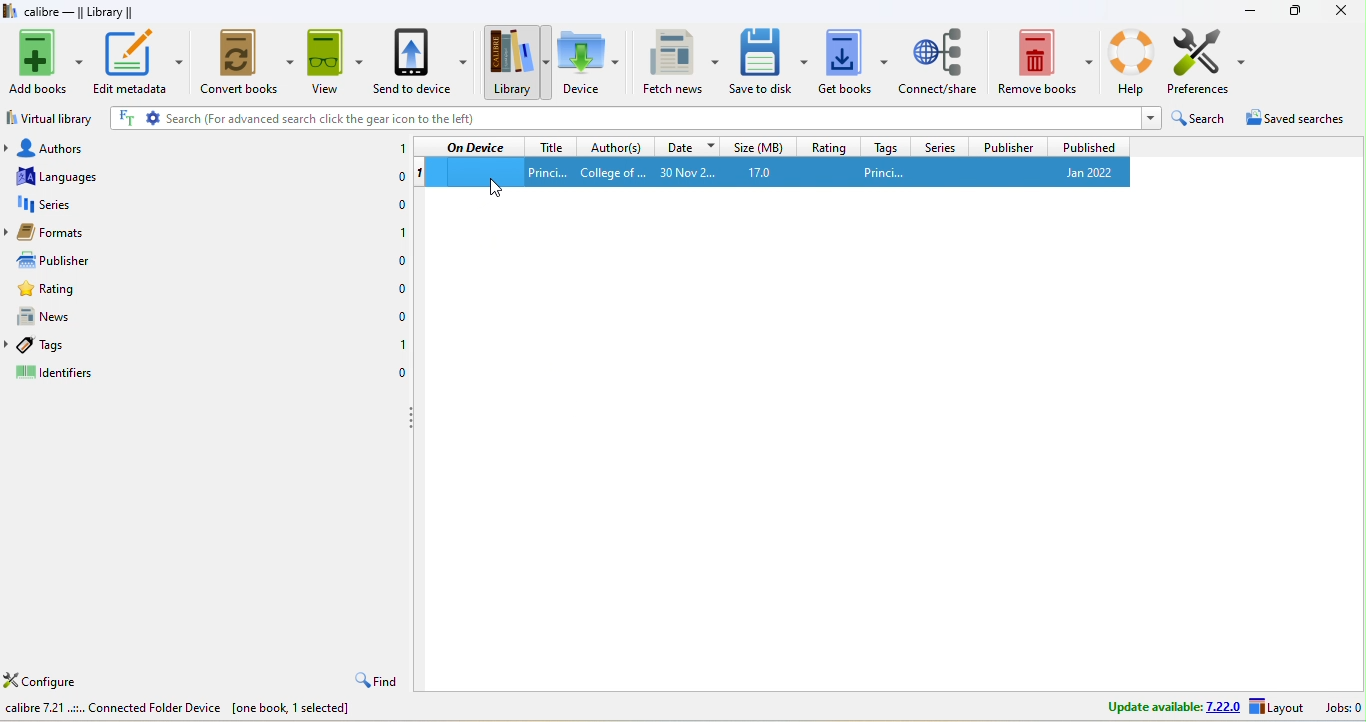 The image size is (1366, 722). What do you see at coordinates (758, 145) in the screenshot?
I see `size` at bounding box center [758, 145].